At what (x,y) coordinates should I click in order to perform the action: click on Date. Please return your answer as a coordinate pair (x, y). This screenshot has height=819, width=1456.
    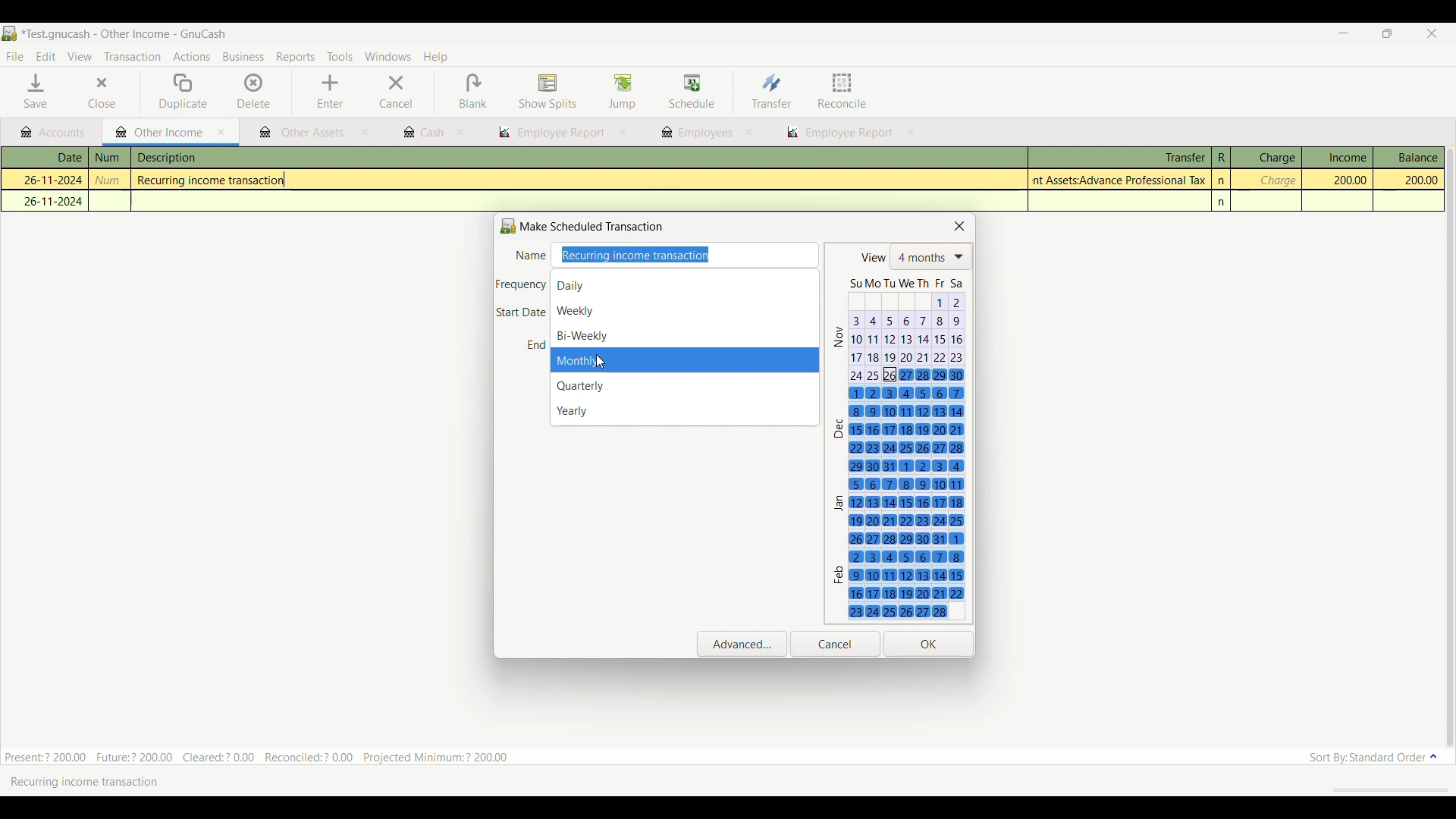
    Looking at the image, I should click on (53, 158).